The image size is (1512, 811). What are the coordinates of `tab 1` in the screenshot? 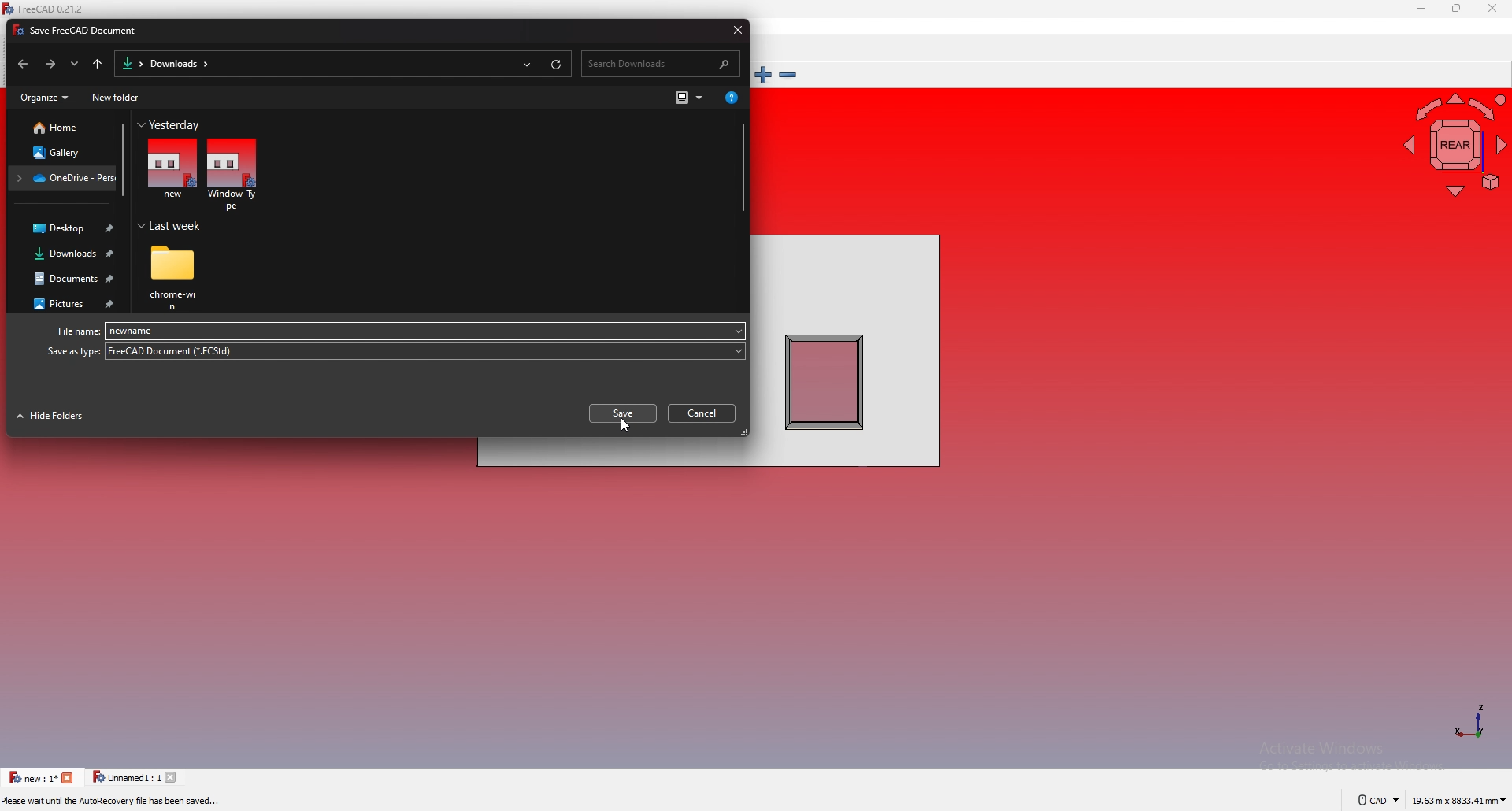 It's located at (41, 778).